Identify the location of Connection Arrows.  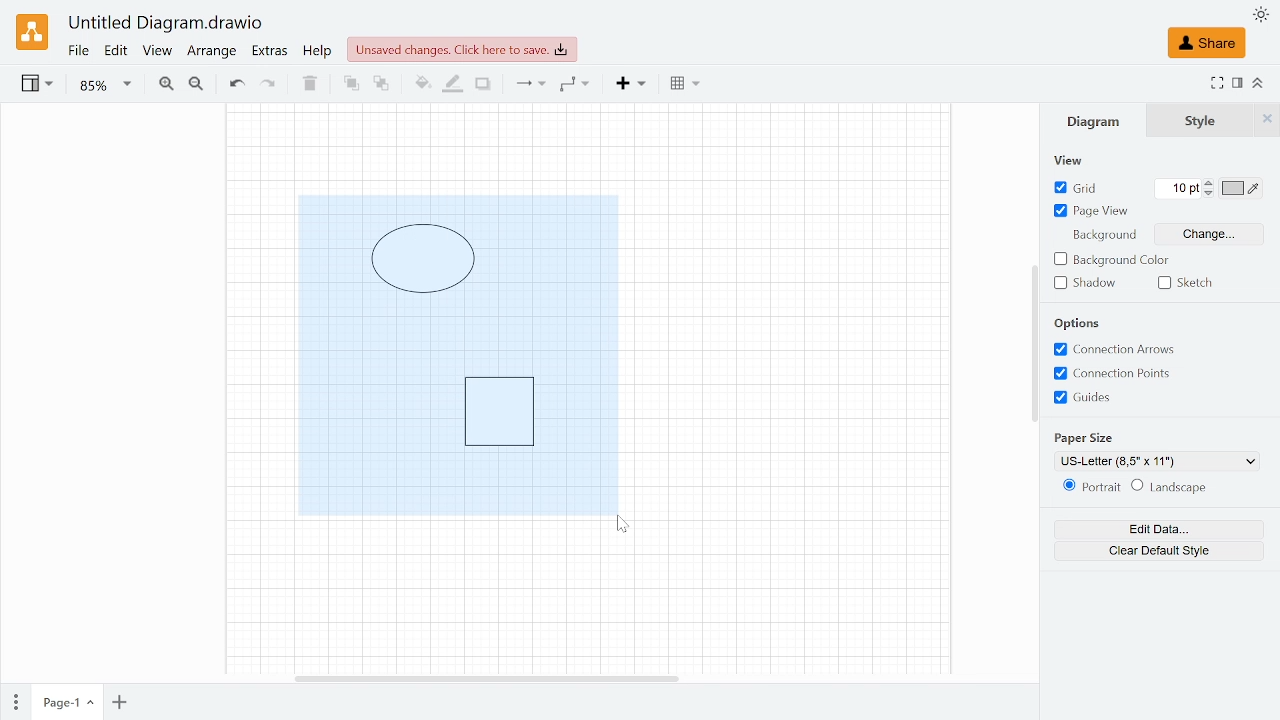
(1116, 349).